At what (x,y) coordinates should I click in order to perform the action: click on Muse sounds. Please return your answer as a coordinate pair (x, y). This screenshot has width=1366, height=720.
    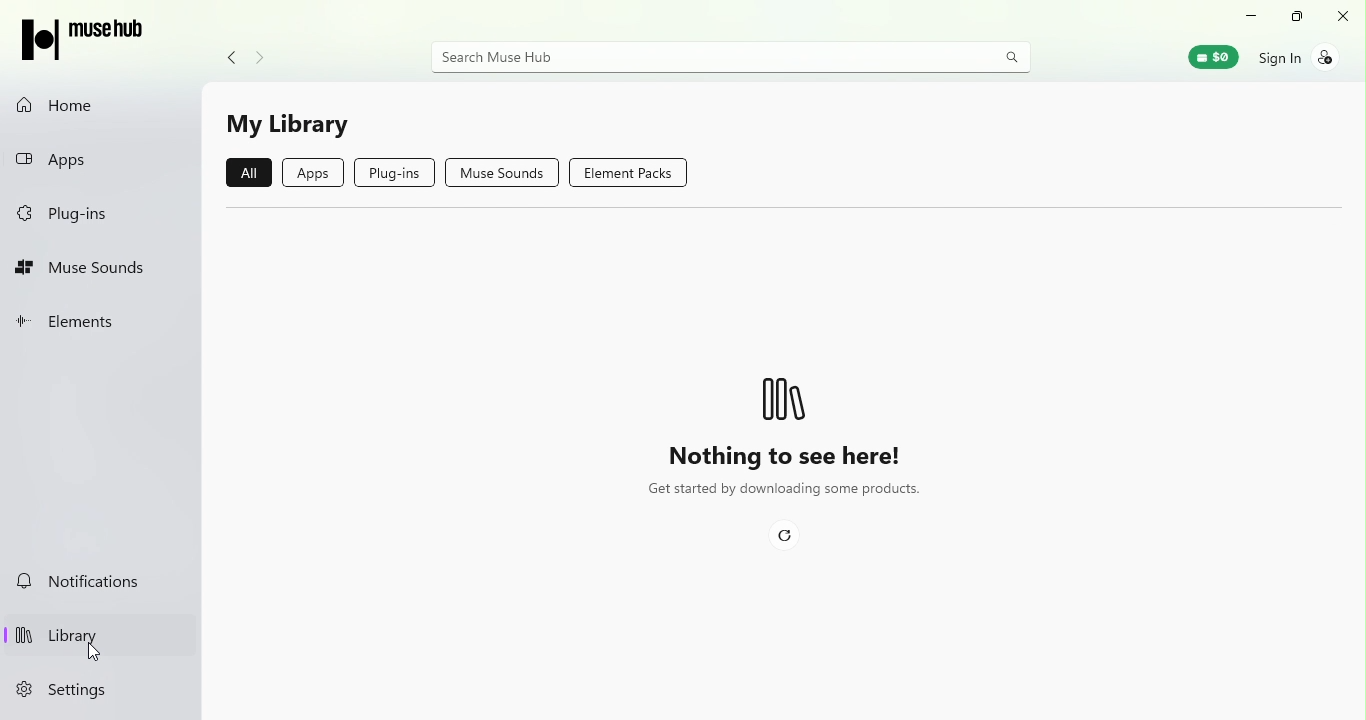
    Looking at the image, I should click on (502, 174).